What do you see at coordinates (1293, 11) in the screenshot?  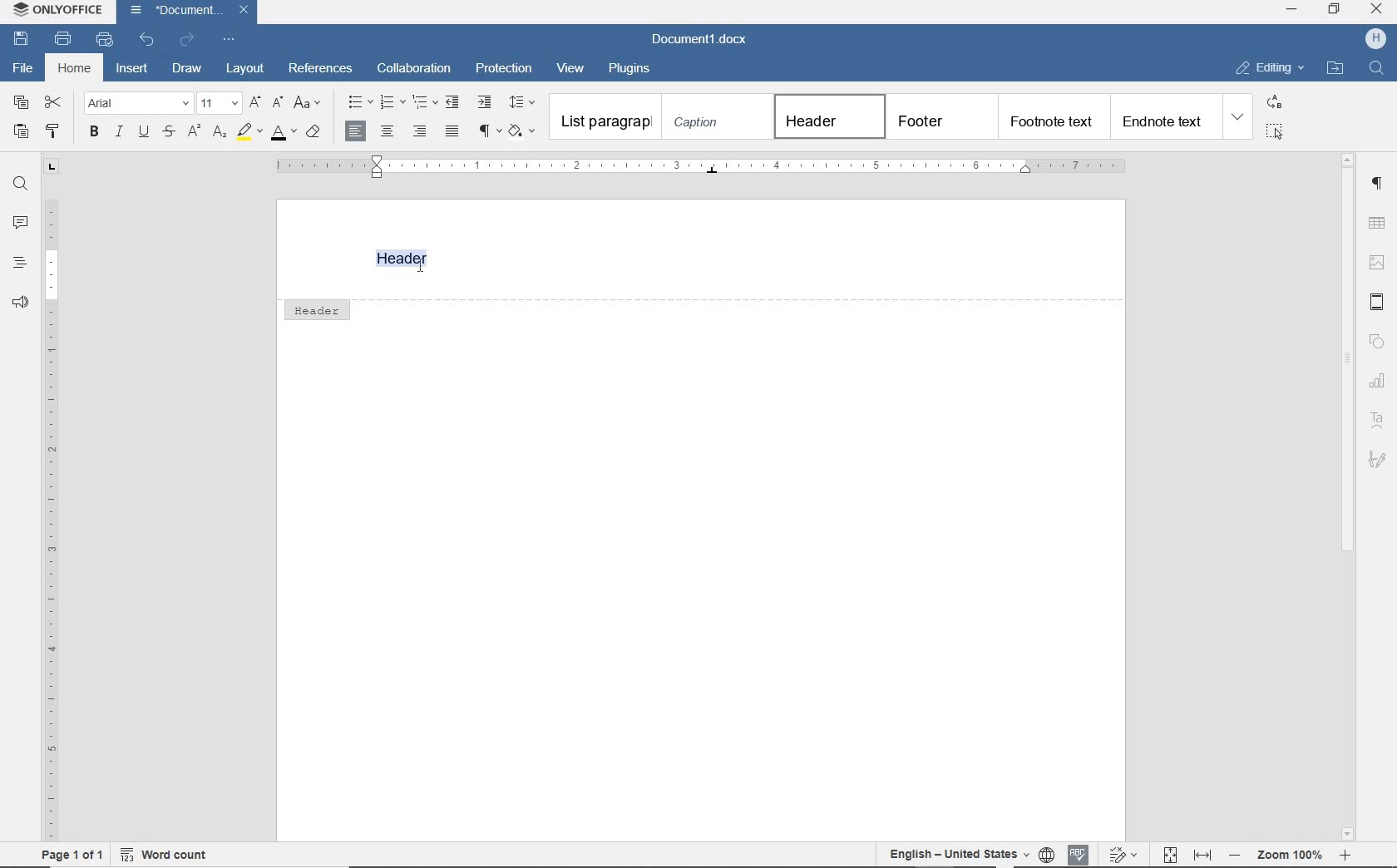 I see `MINIMIZE` at bounding box center [1293, 11].